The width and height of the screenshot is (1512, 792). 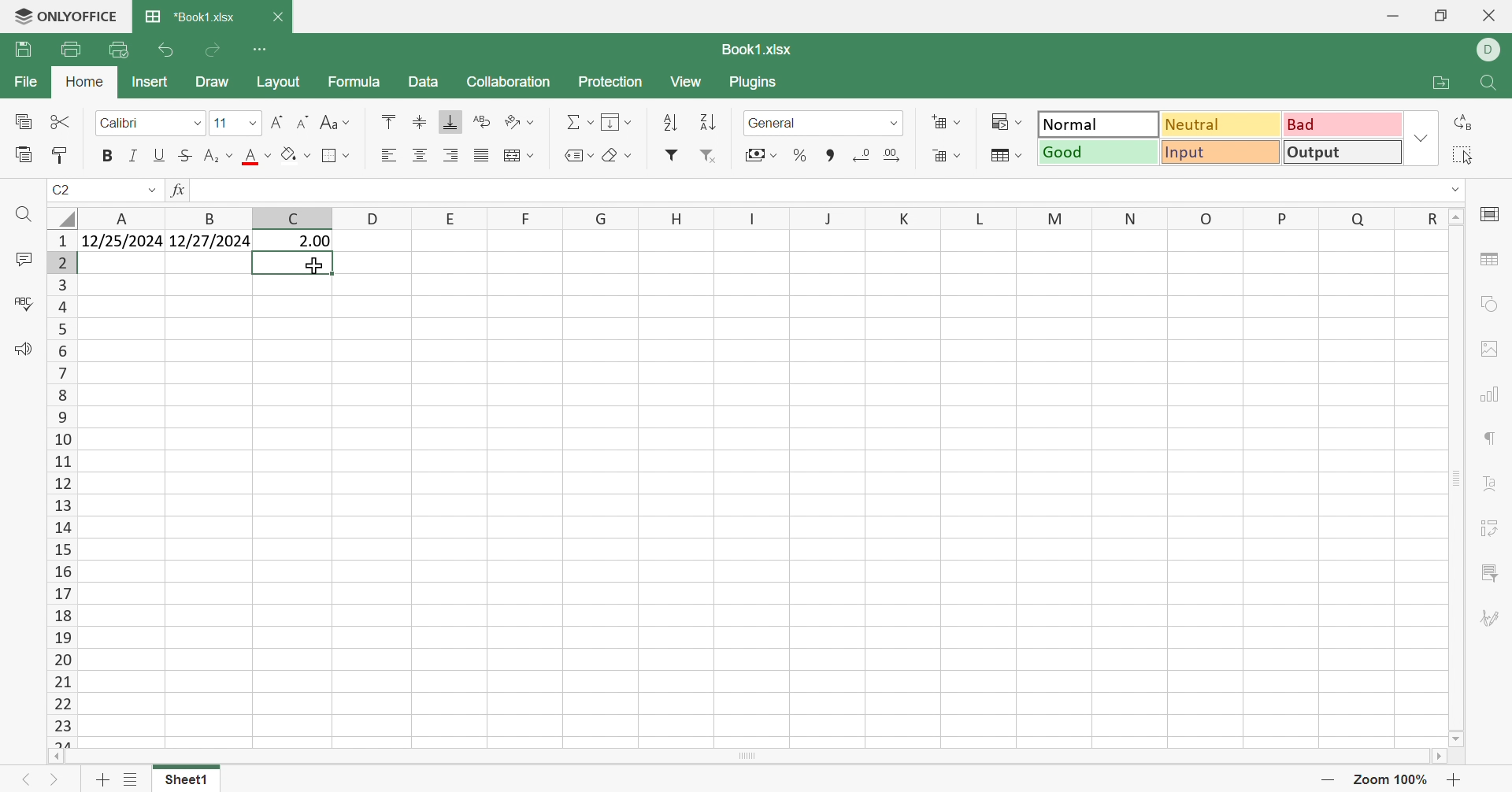 I want to click on Justified, so click(x=480, y=154).